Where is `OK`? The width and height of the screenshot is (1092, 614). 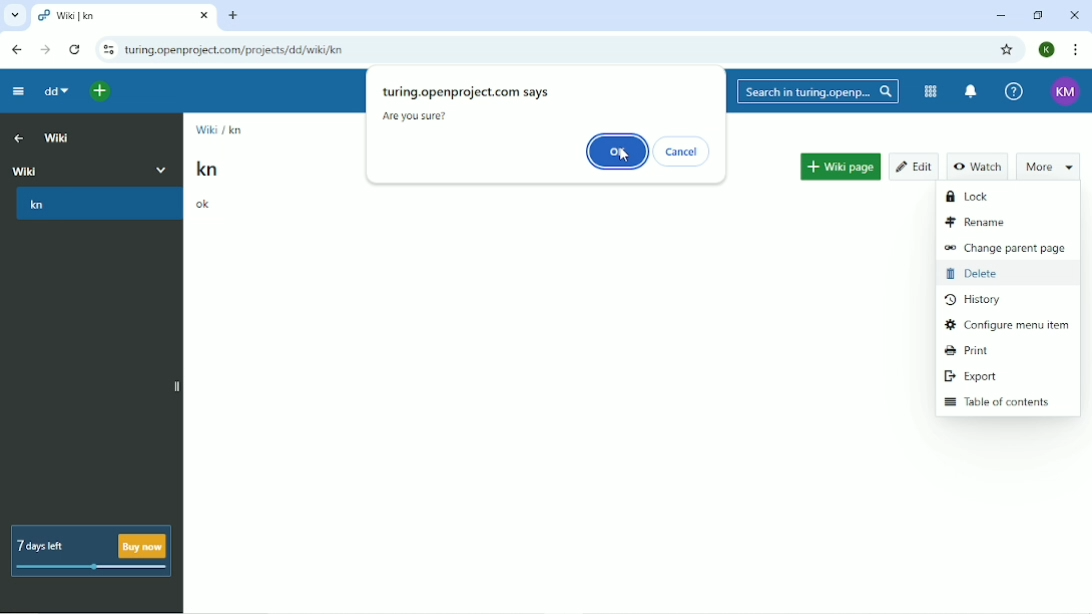
OK is located at coordinates (615, 150).